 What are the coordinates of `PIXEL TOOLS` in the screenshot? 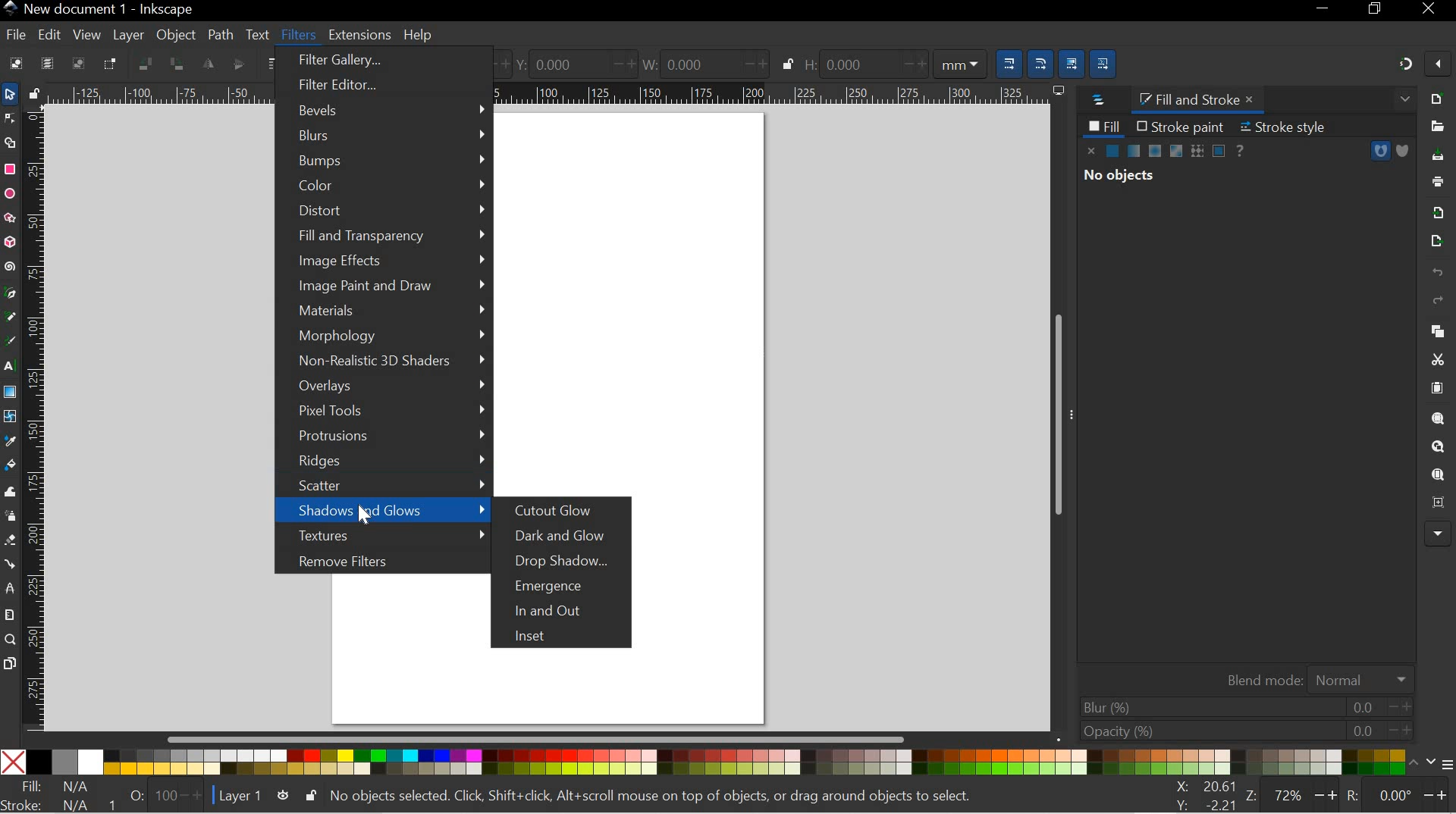 It's located at (381, 412).